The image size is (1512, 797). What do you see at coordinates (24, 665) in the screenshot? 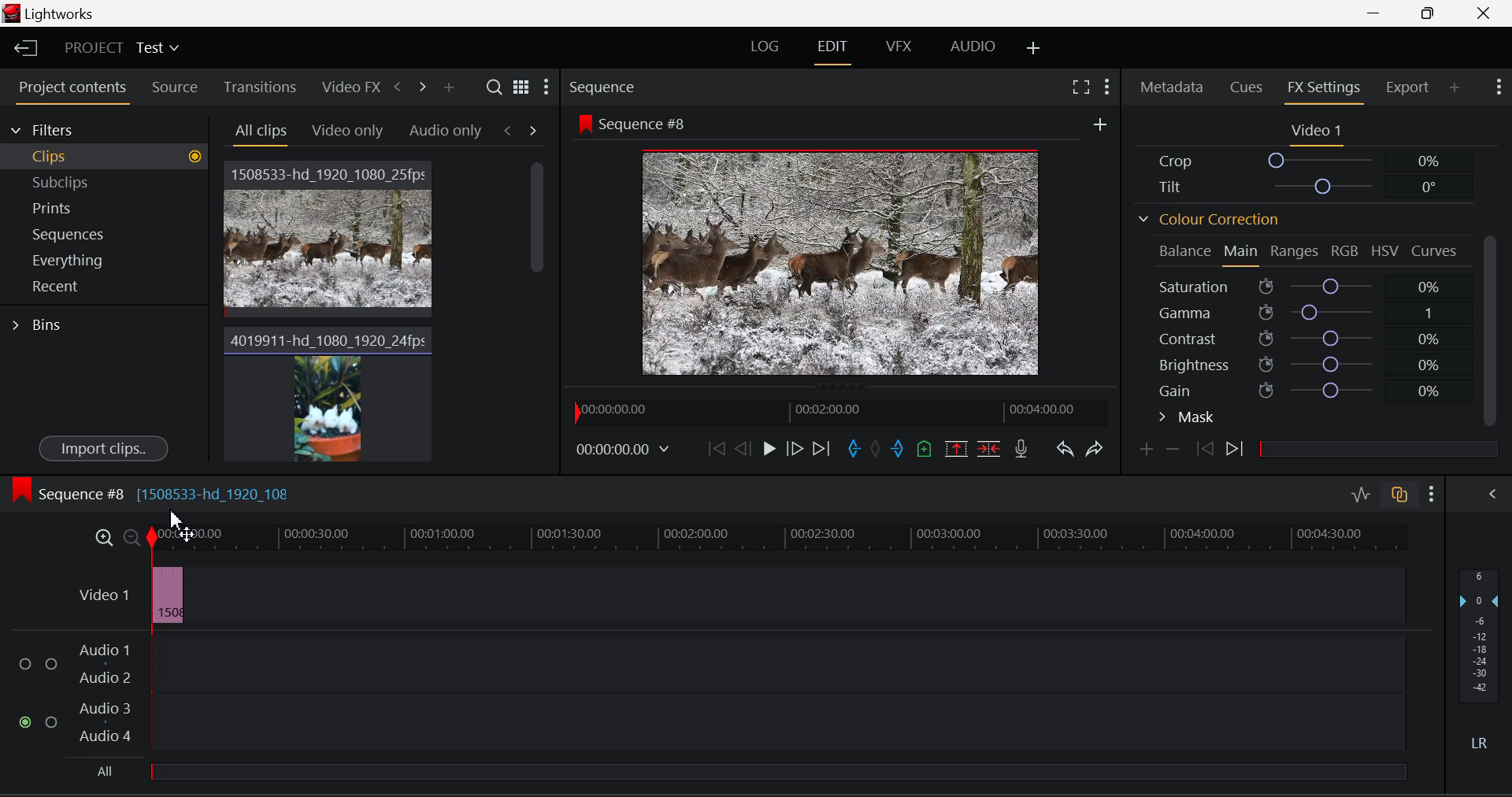
I see `Audio Input Checkbox` at bounding box center [24, 665].